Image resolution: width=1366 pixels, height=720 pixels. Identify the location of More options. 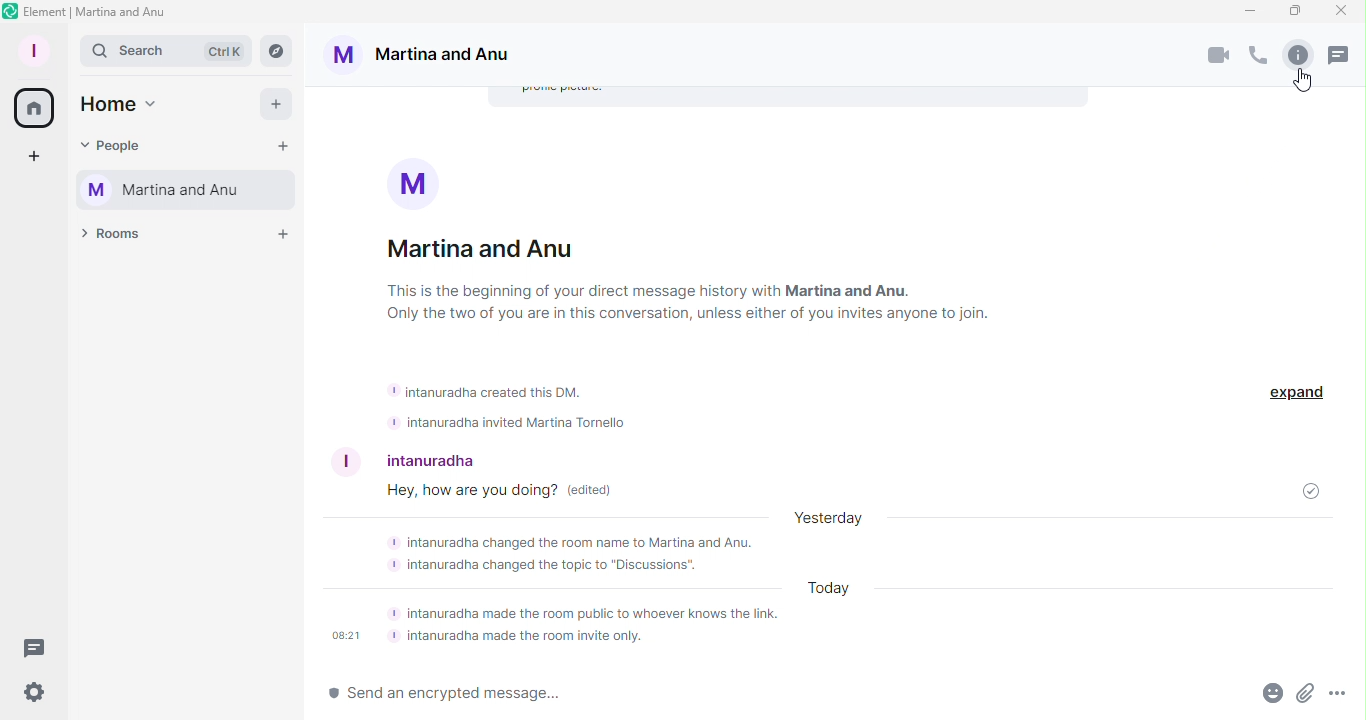
(1336, 697).